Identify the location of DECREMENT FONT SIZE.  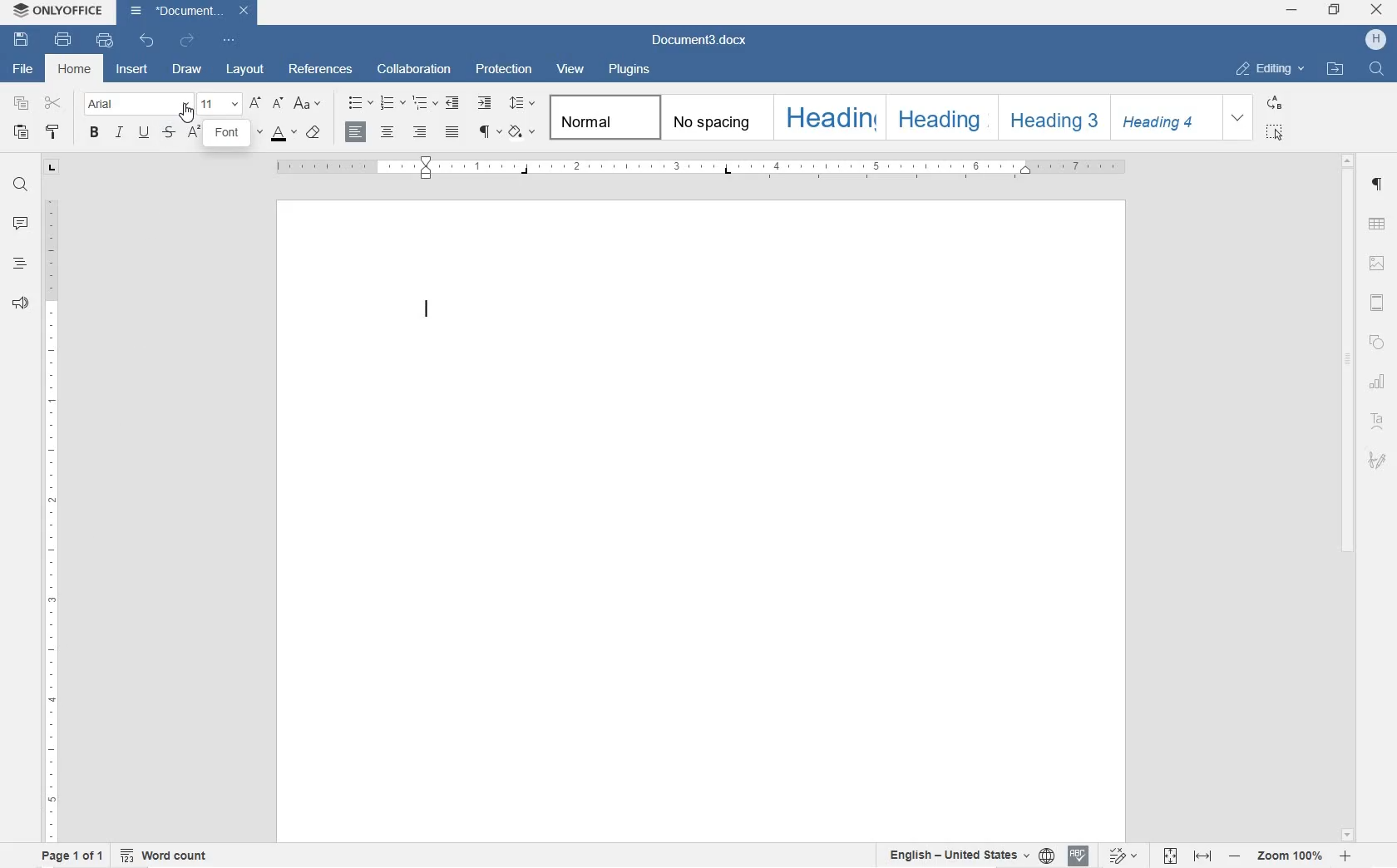
(277, 104).